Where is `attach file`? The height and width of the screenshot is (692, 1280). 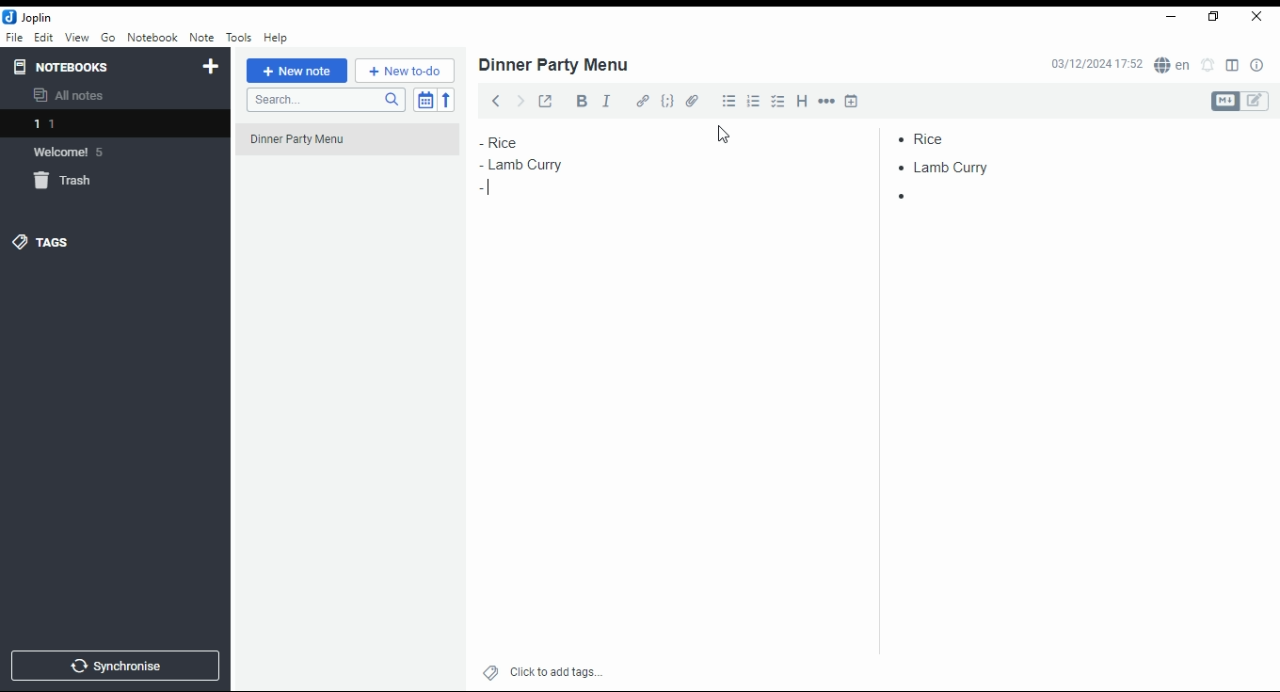 attach file is located at coordinates (696, 100).